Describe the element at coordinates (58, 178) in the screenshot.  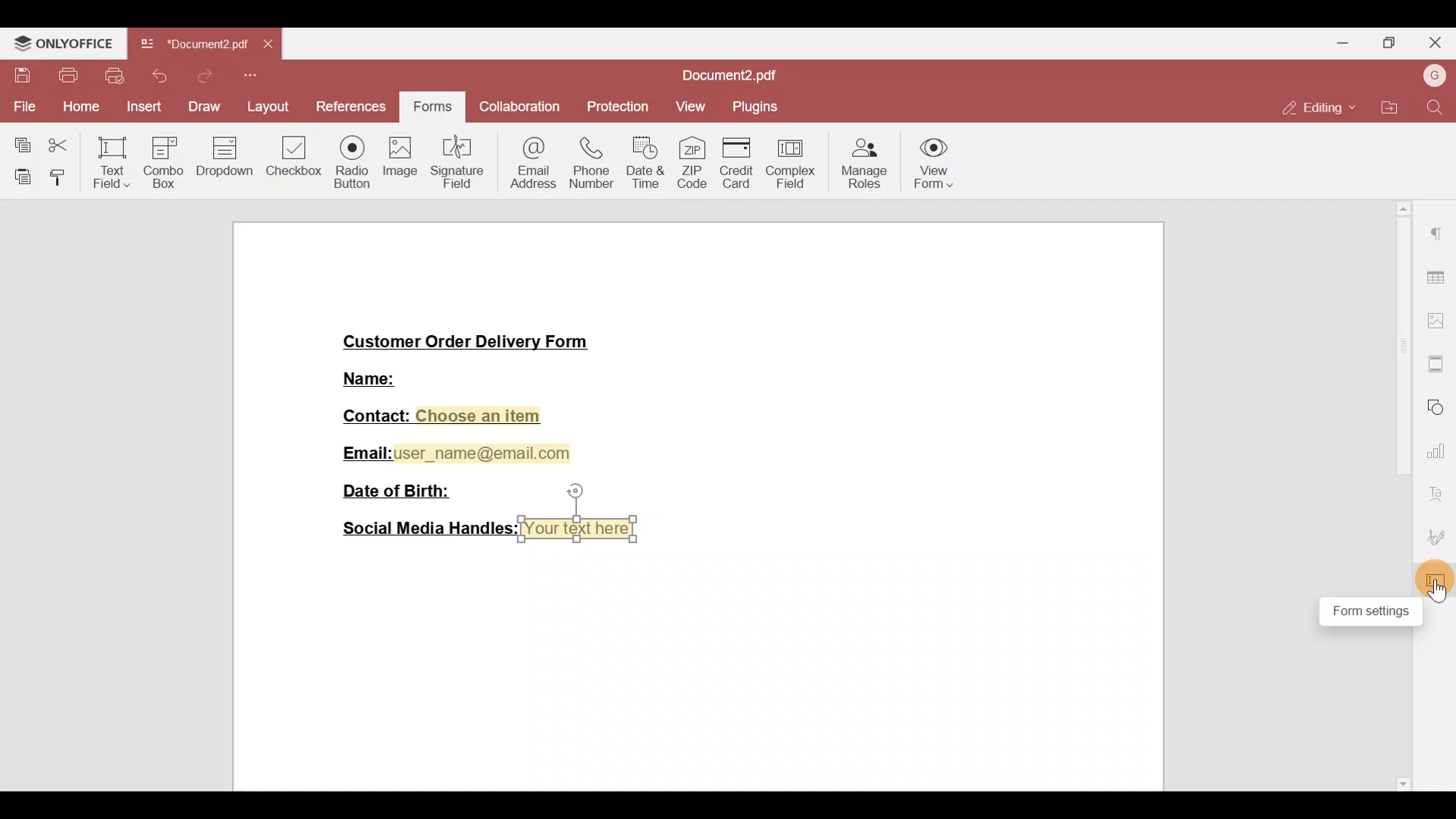
I see `Copy style` at that location.